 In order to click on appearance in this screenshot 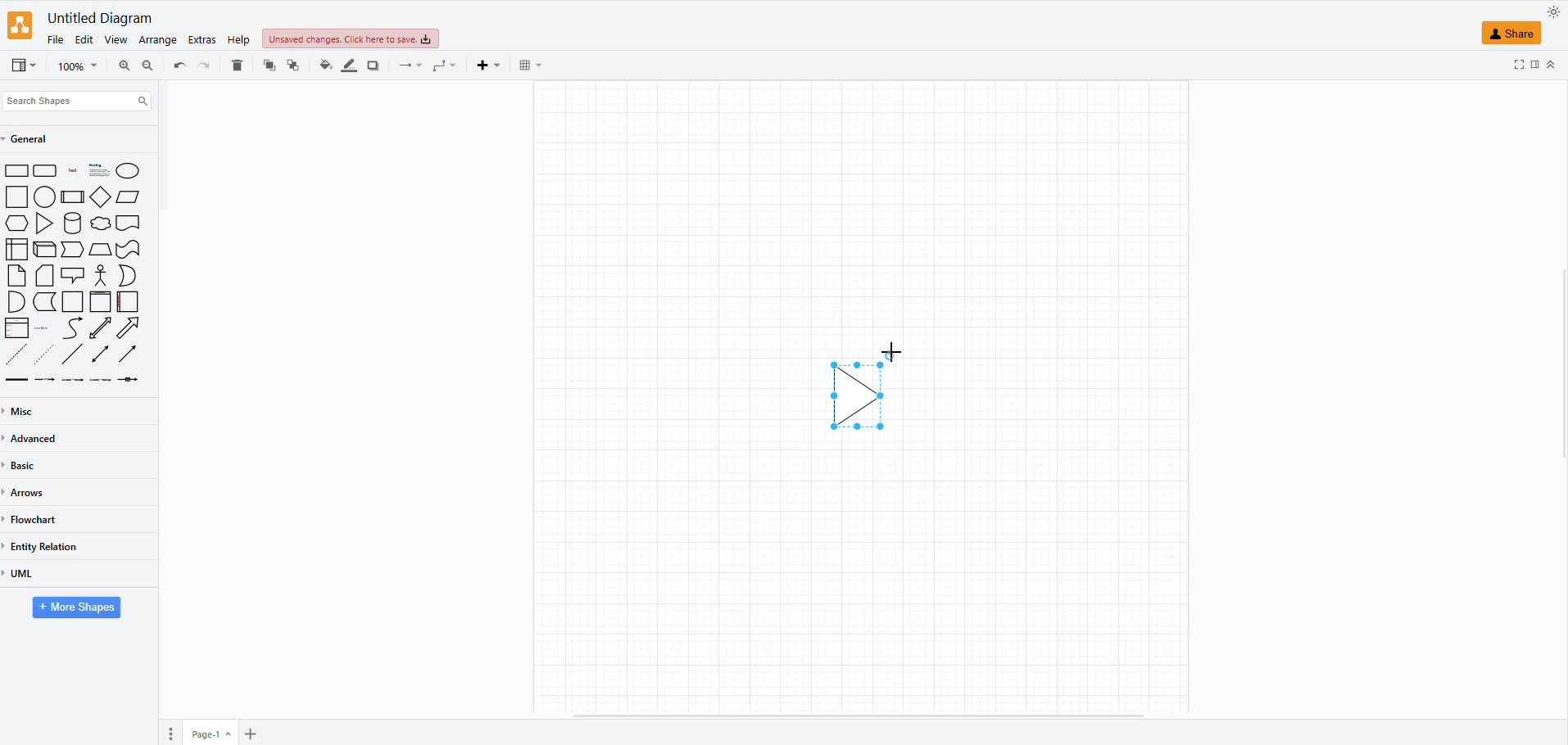, I will do `click(1552, 12)`.